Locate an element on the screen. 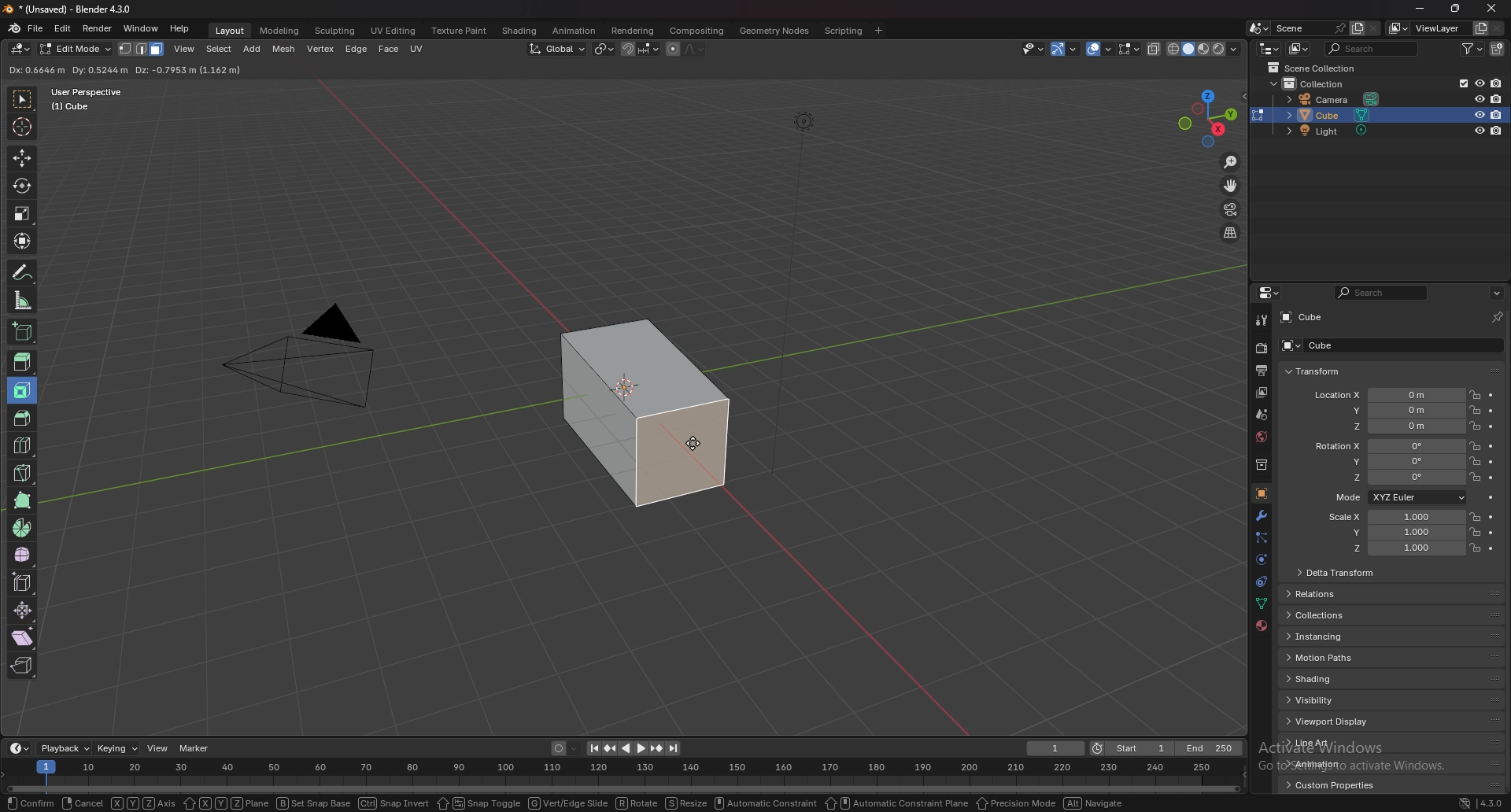  animate property is located at coordinates (1492, 426).